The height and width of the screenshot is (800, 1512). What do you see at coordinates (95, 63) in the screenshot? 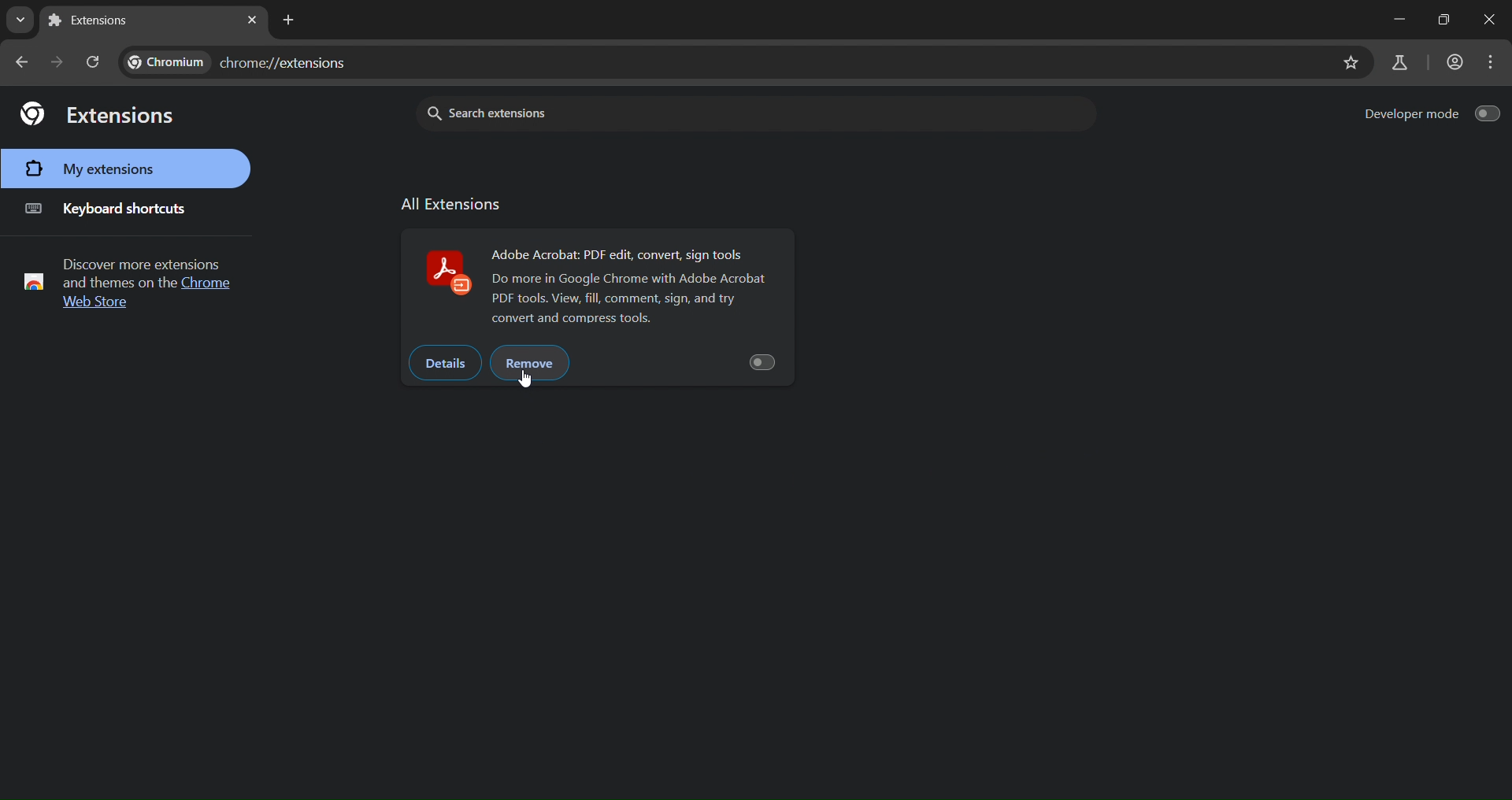
I see `reload page` at bounding box center [95, 63].